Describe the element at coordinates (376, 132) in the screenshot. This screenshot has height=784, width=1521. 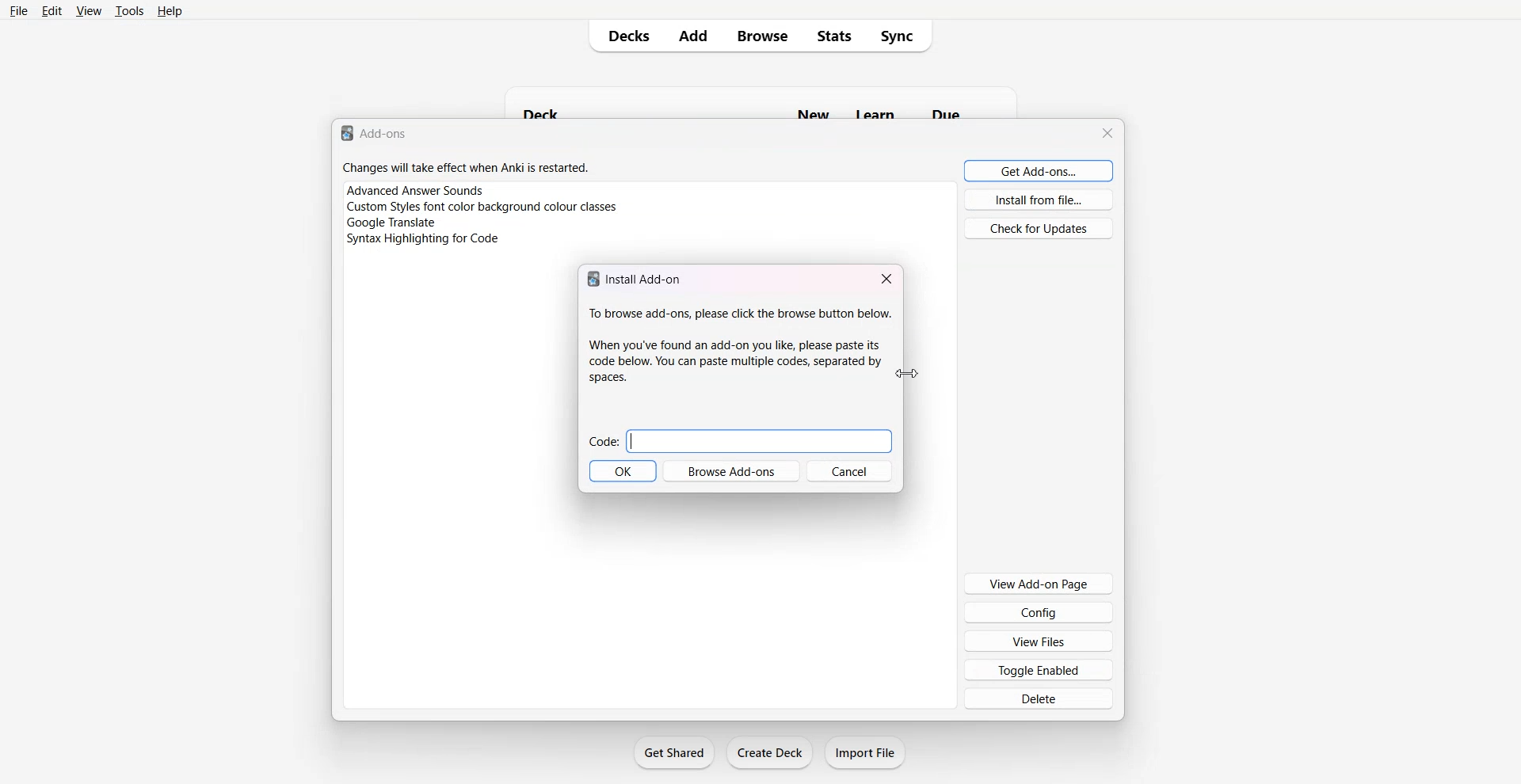
I see `add-ons` at that location.